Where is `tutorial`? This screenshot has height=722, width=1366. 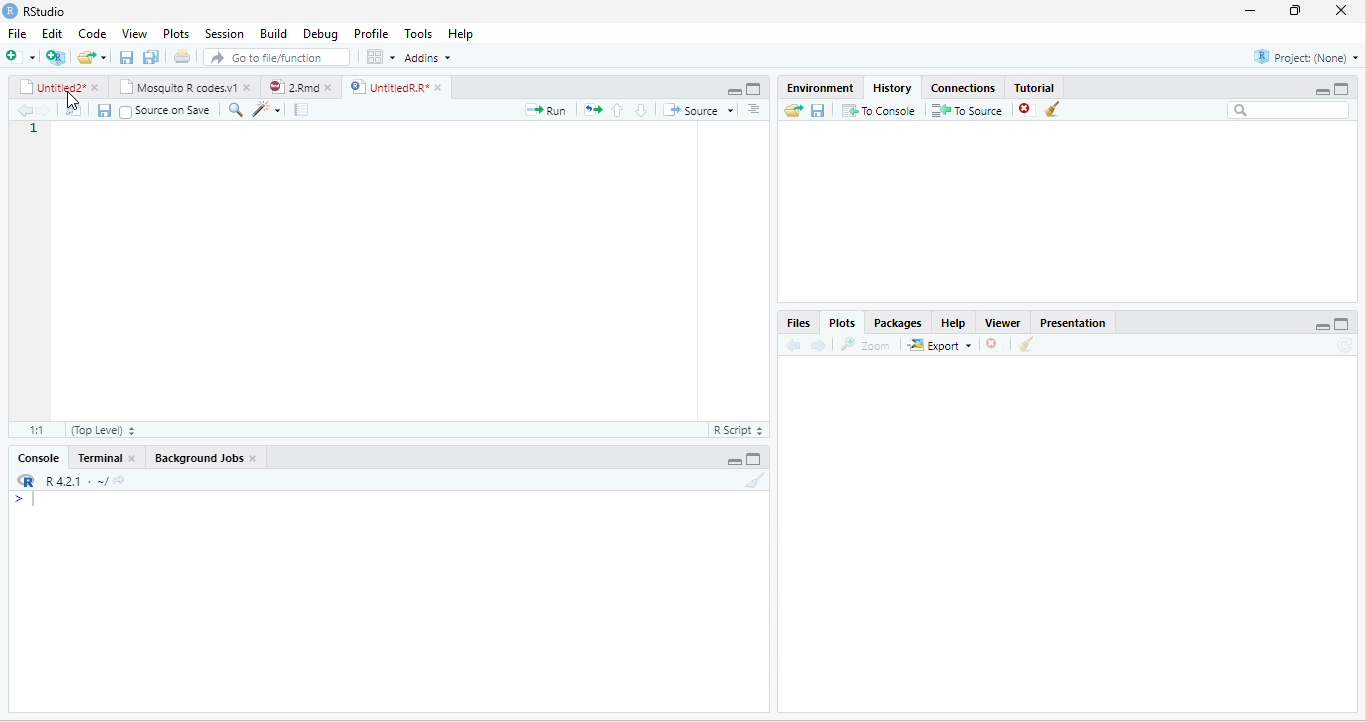
tutorial is located at coordinates (1062, 86).